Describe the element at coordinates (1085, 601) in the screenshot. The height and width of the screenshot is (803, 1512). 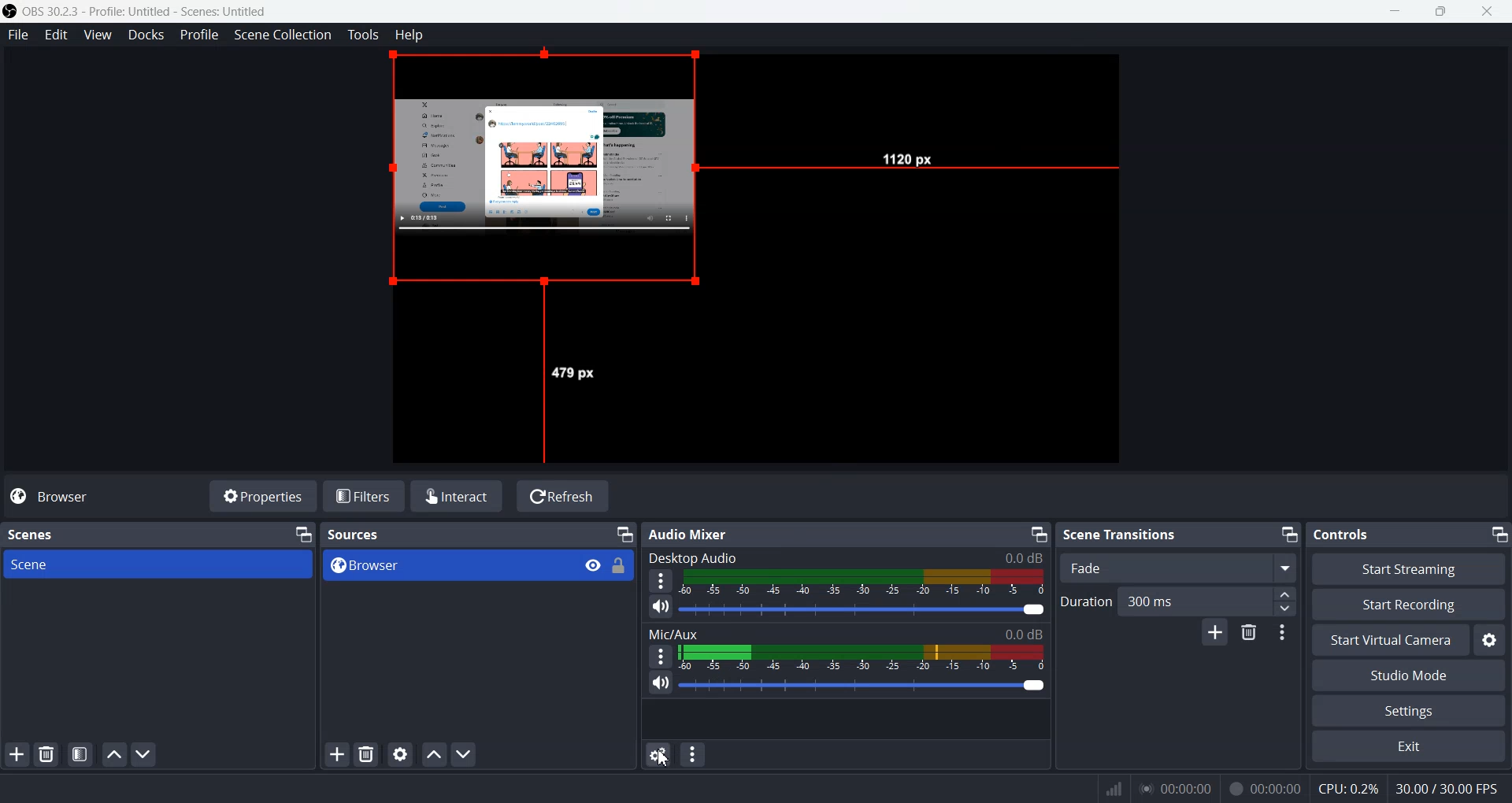
I see `Duration` at that location.